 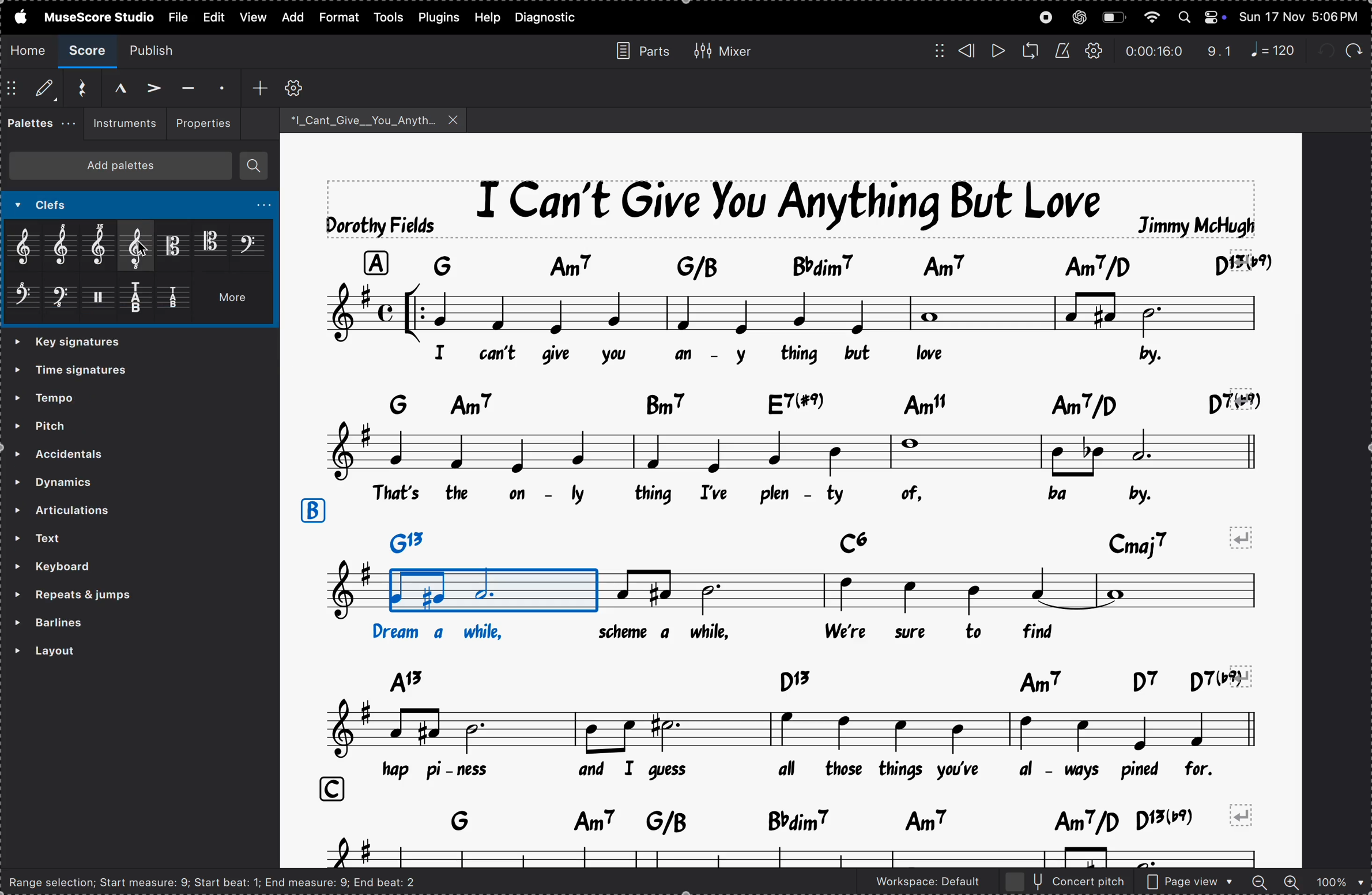 What do you see at coordinates (121, 512) in the screenshot?
I see `articulations` at bounding box center [121, 512].